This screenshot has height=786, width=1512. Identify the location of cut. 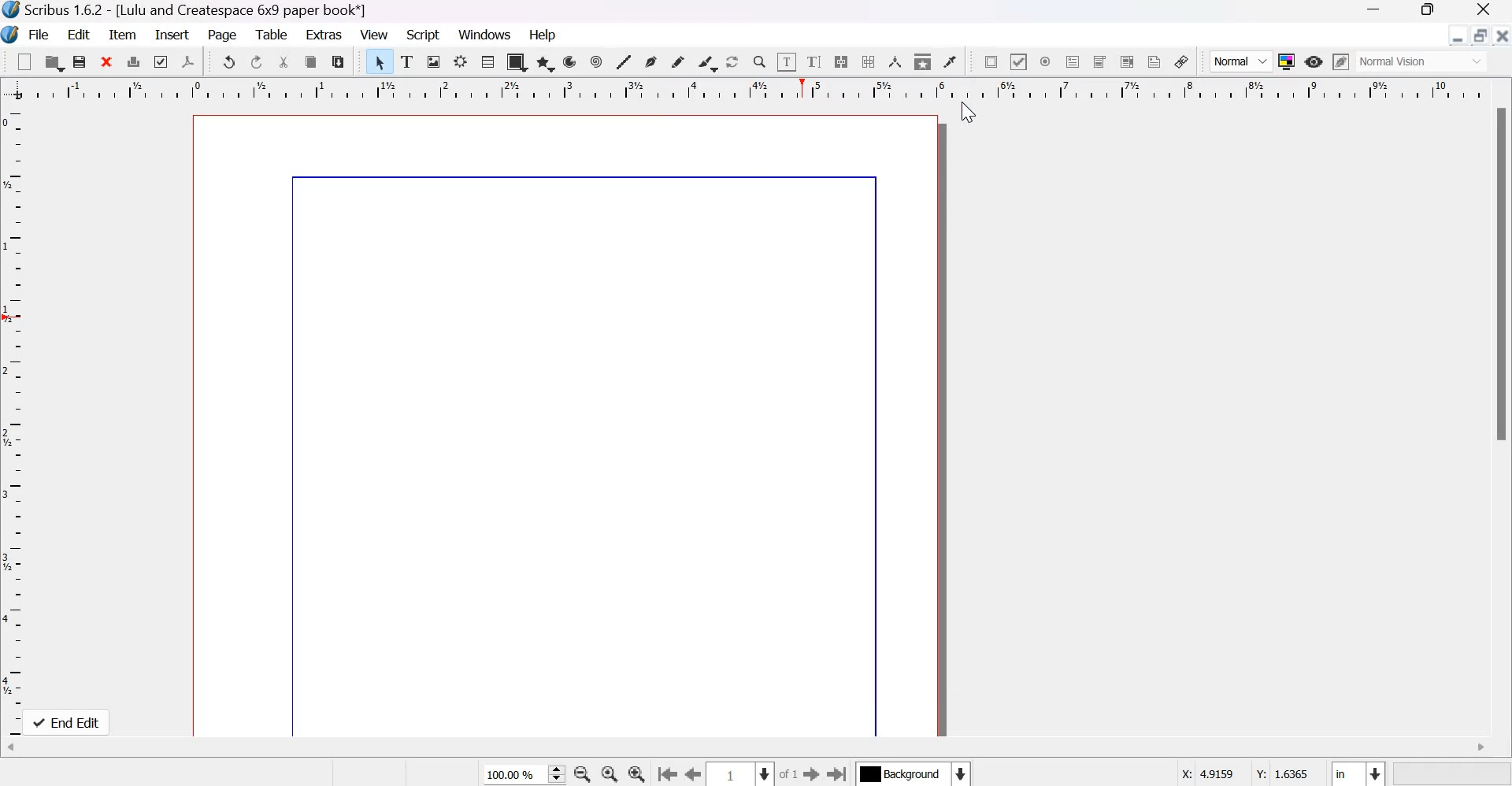
(284, 62).